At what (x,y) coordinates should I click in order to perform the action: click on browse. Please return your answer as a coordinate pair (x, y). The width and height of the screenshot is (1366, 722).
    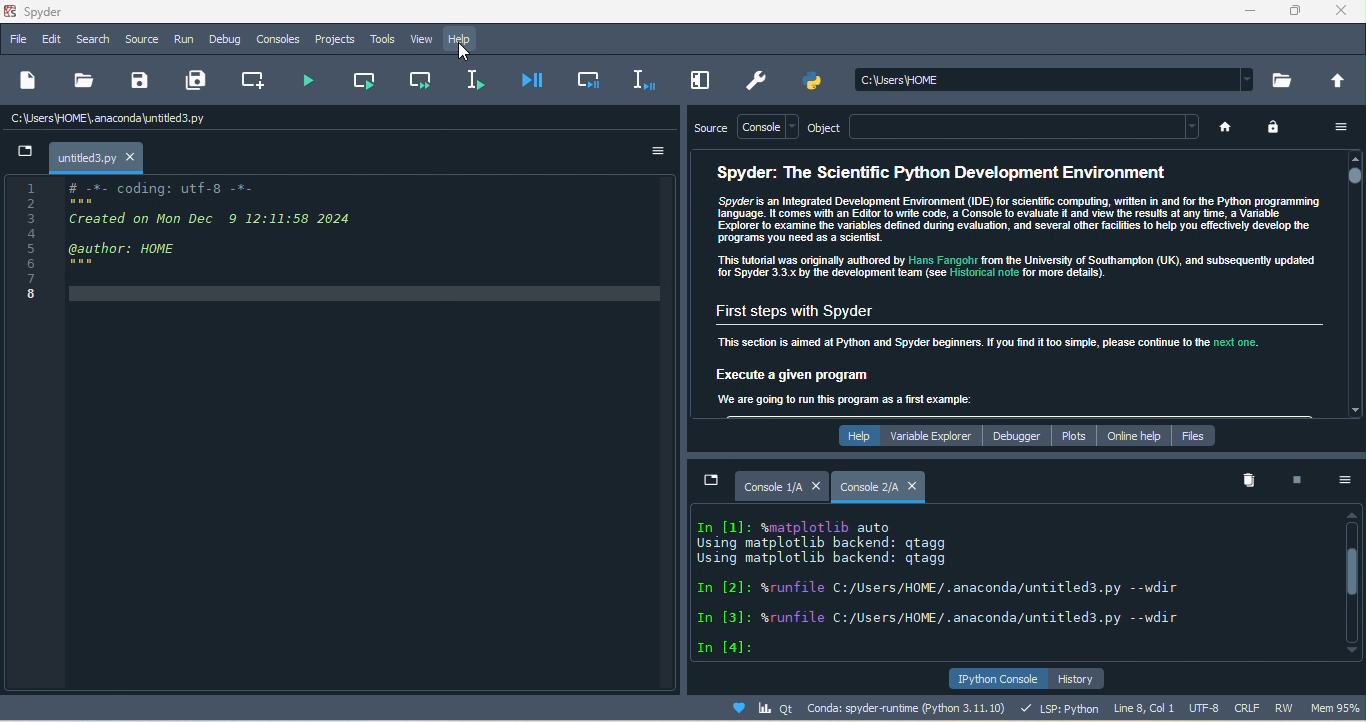
    Looking at the image, I should click on (1285, 79).